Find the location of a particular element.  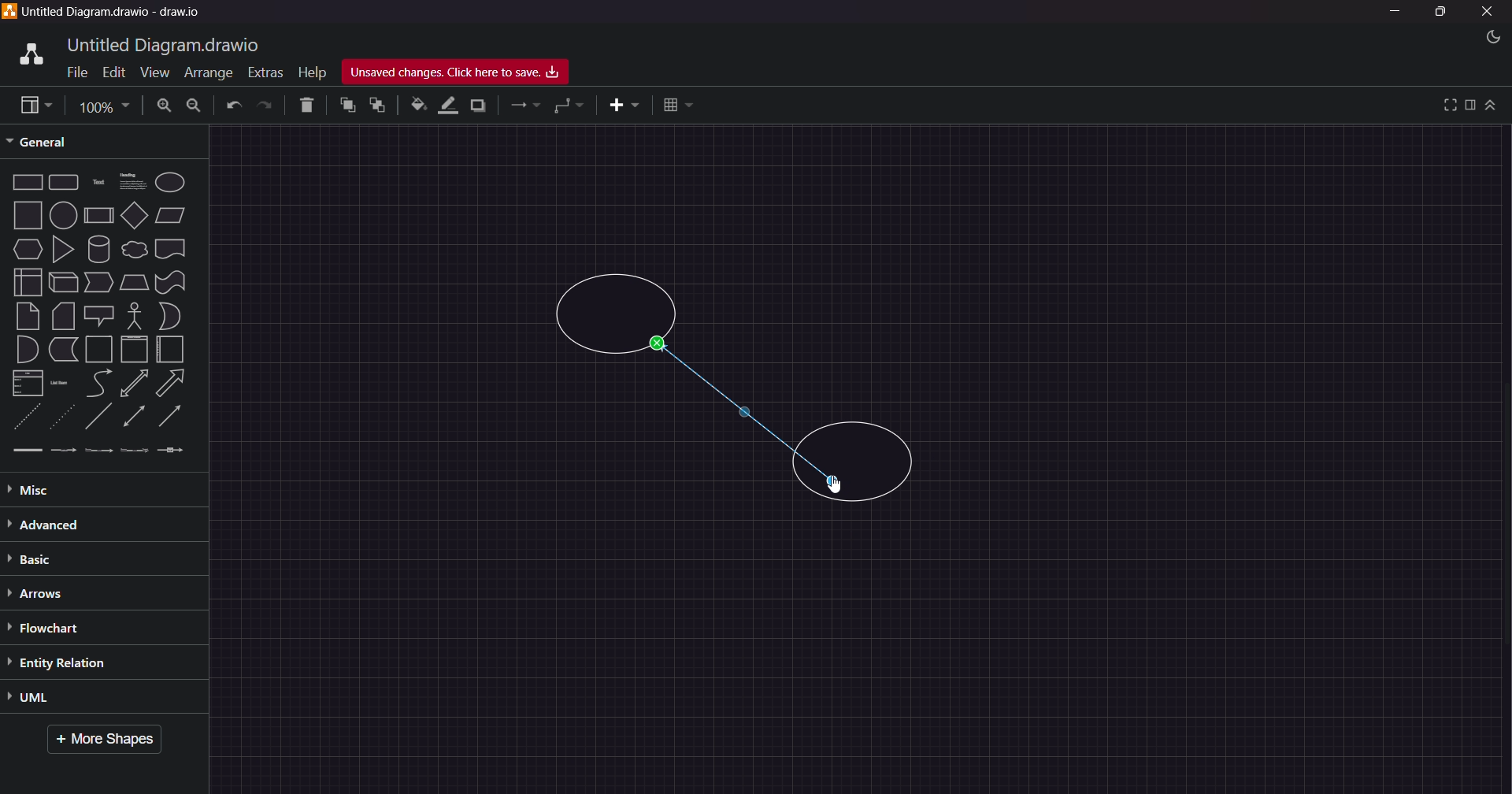

waypoints is located at coordinates (570, 107).